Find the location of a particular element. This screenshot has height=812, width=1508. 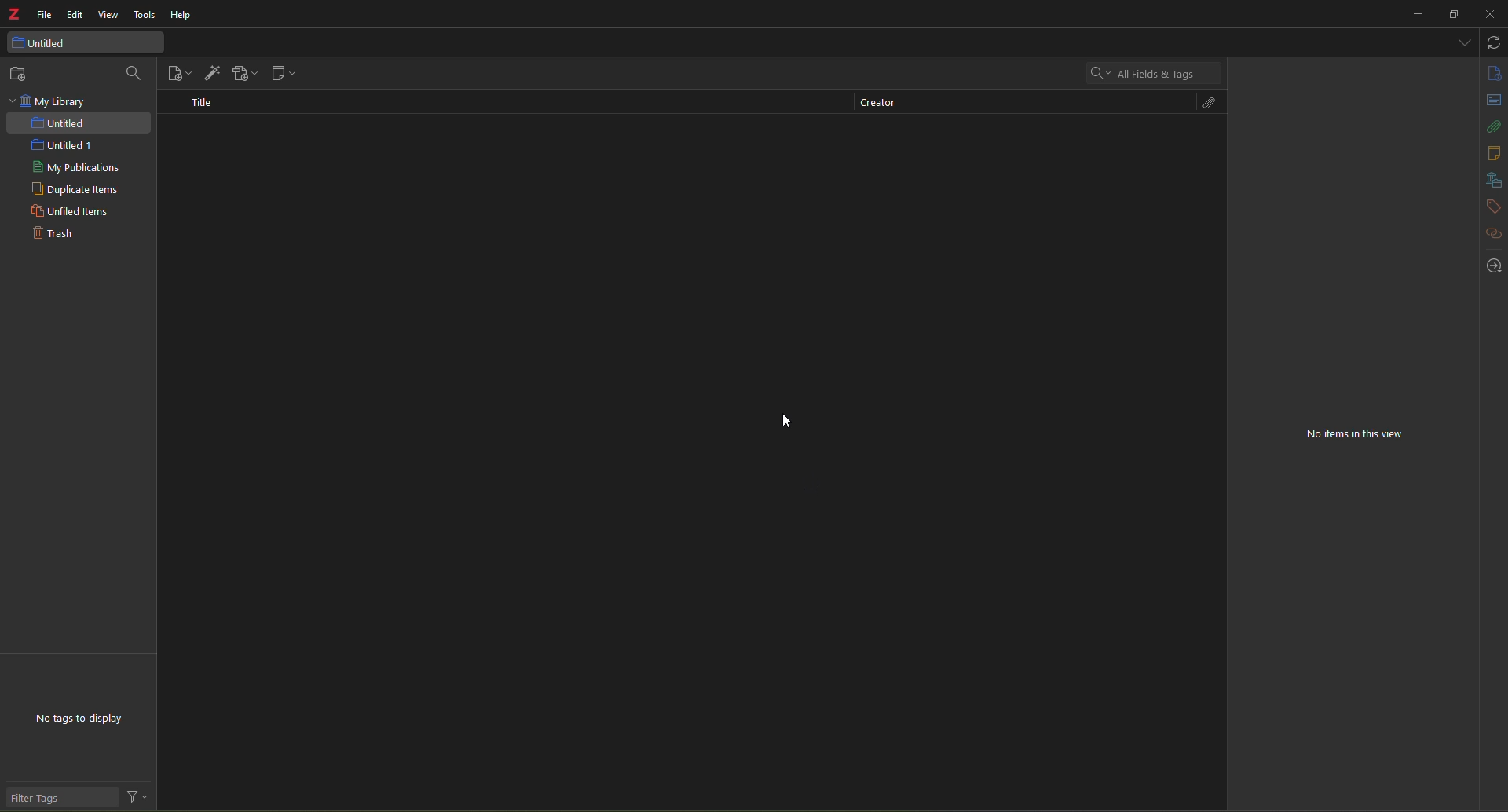

add is located at coordinates (1443, 338).